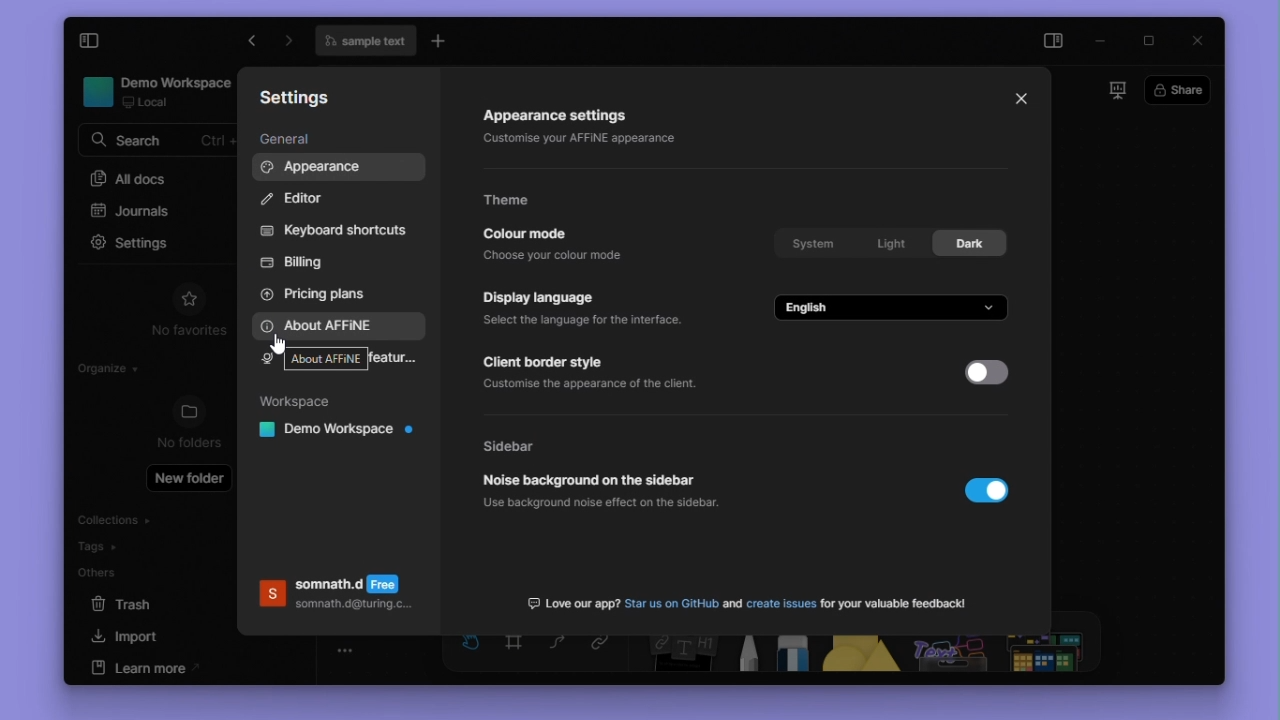 Image resolution: width=1280 pixels, height=720 pixels. What do you see at coordinates (178, 333) in the screenshot?
I see `no favorites` at bounding box center [178, 333].